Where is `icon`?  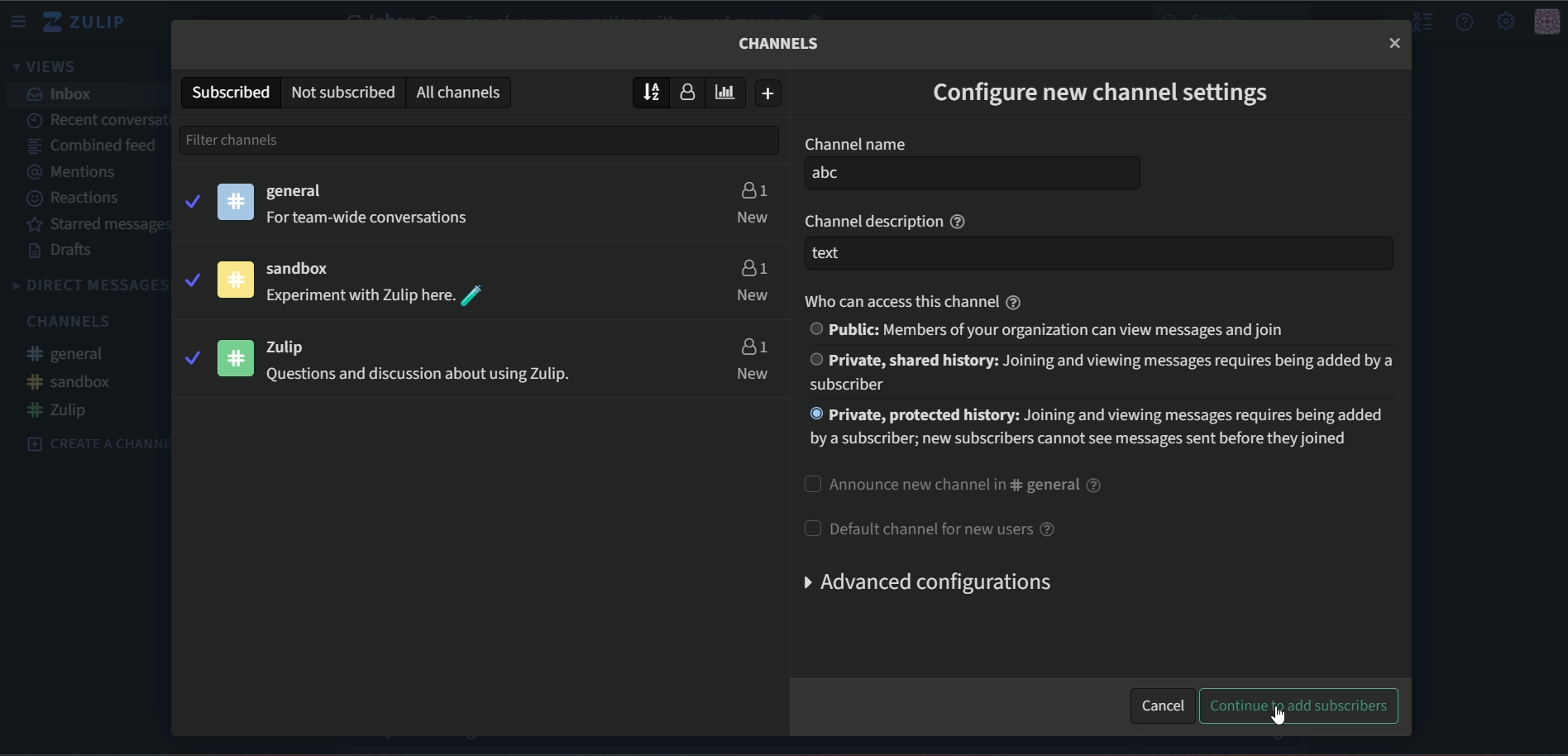
icon is located at coordinates (1547, 22).